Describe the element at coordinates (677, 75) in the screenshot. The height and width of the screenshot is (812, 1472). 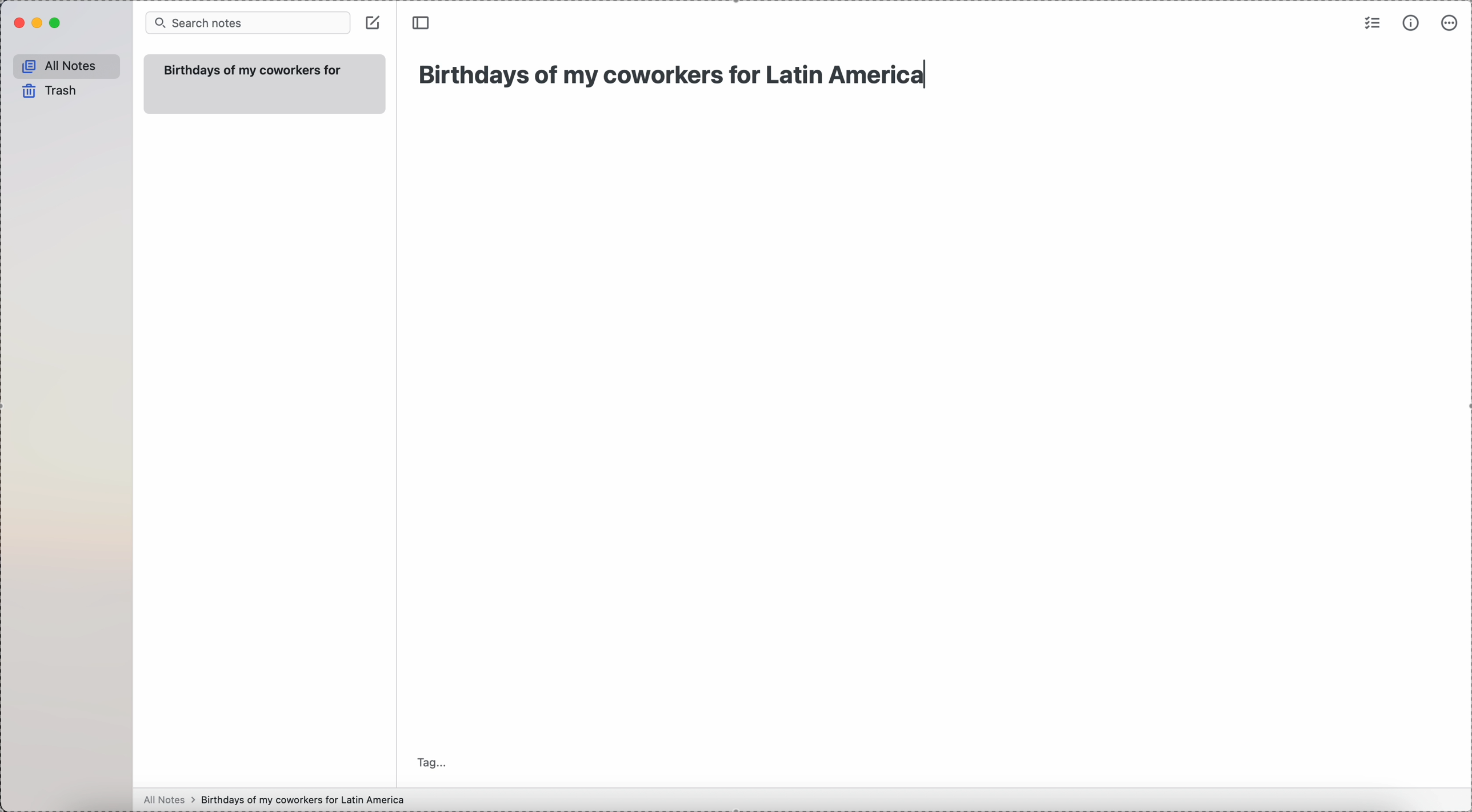
I see `Birthdays of my coworkers for Latin America` at that location.